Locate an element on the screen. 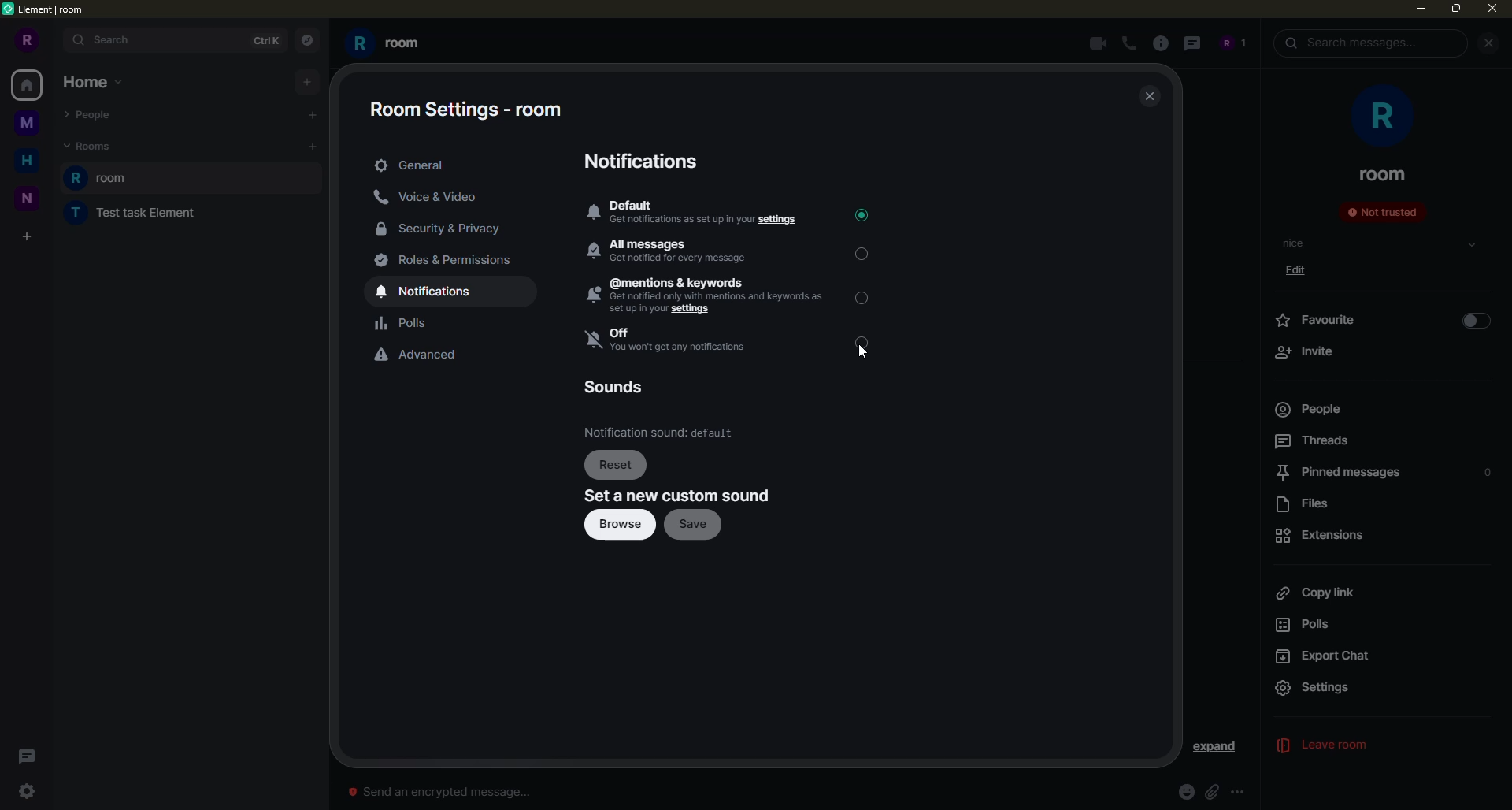 This screenshot has height=810, width=1512. create a space is located at coordinates (30, 233).